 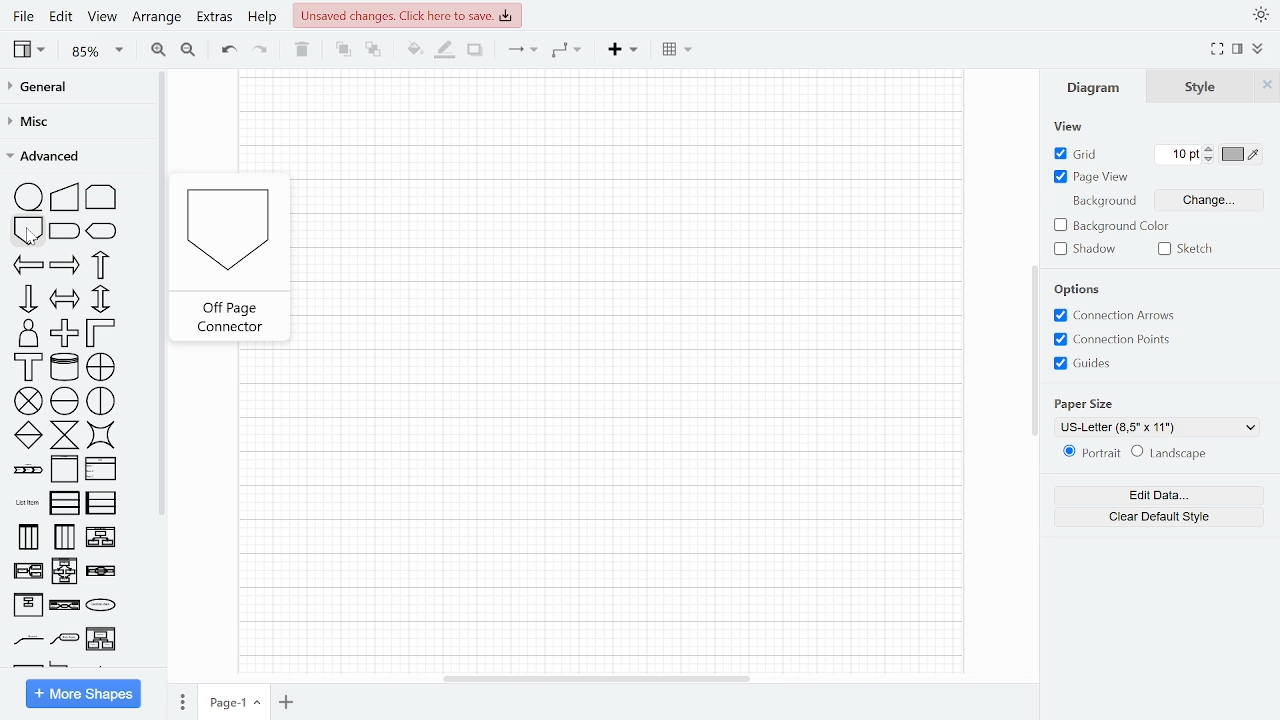 What do you see at coordinates (65, 196) in the screenshot?
I see `manual input` at bounding box center [65, 196].